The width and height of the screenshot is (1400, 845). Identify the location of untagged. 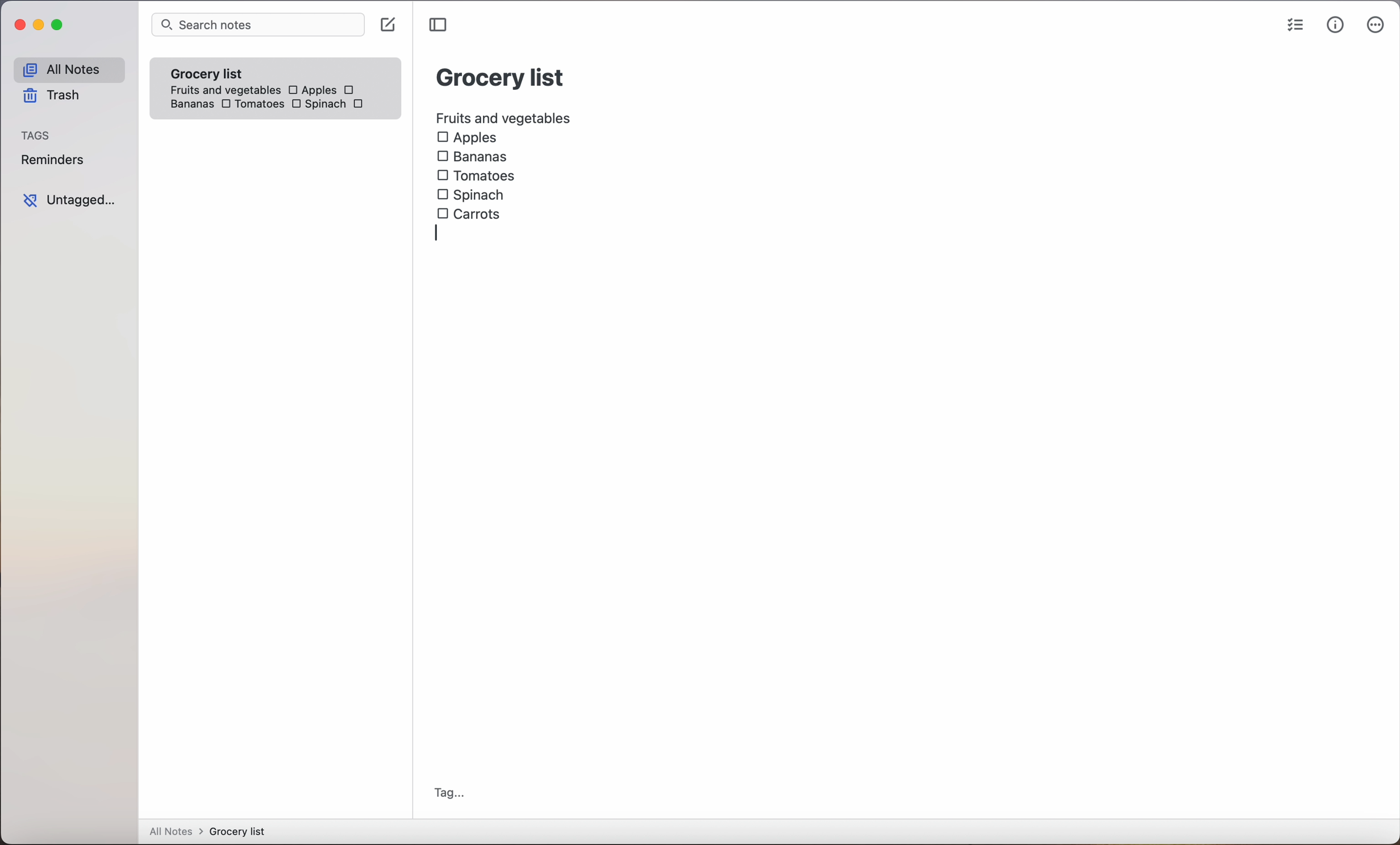
(69, 200).